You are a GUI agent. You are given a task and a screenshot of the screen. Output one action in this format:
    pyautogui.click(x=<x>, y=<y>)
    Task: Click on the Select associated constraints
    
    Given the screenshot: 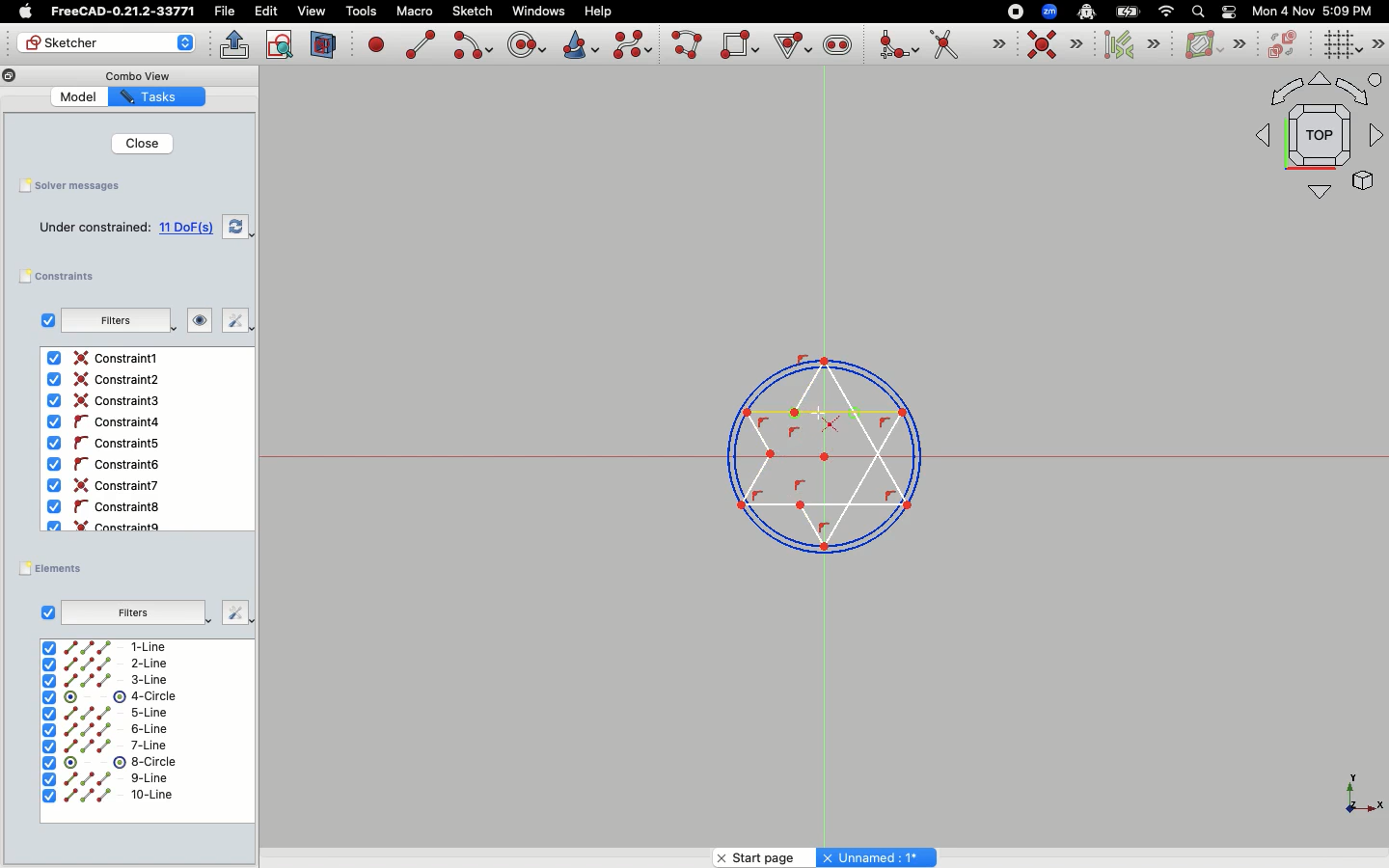 What is the action you would take?
    pyautogui.click(x=1129, y=44)
    